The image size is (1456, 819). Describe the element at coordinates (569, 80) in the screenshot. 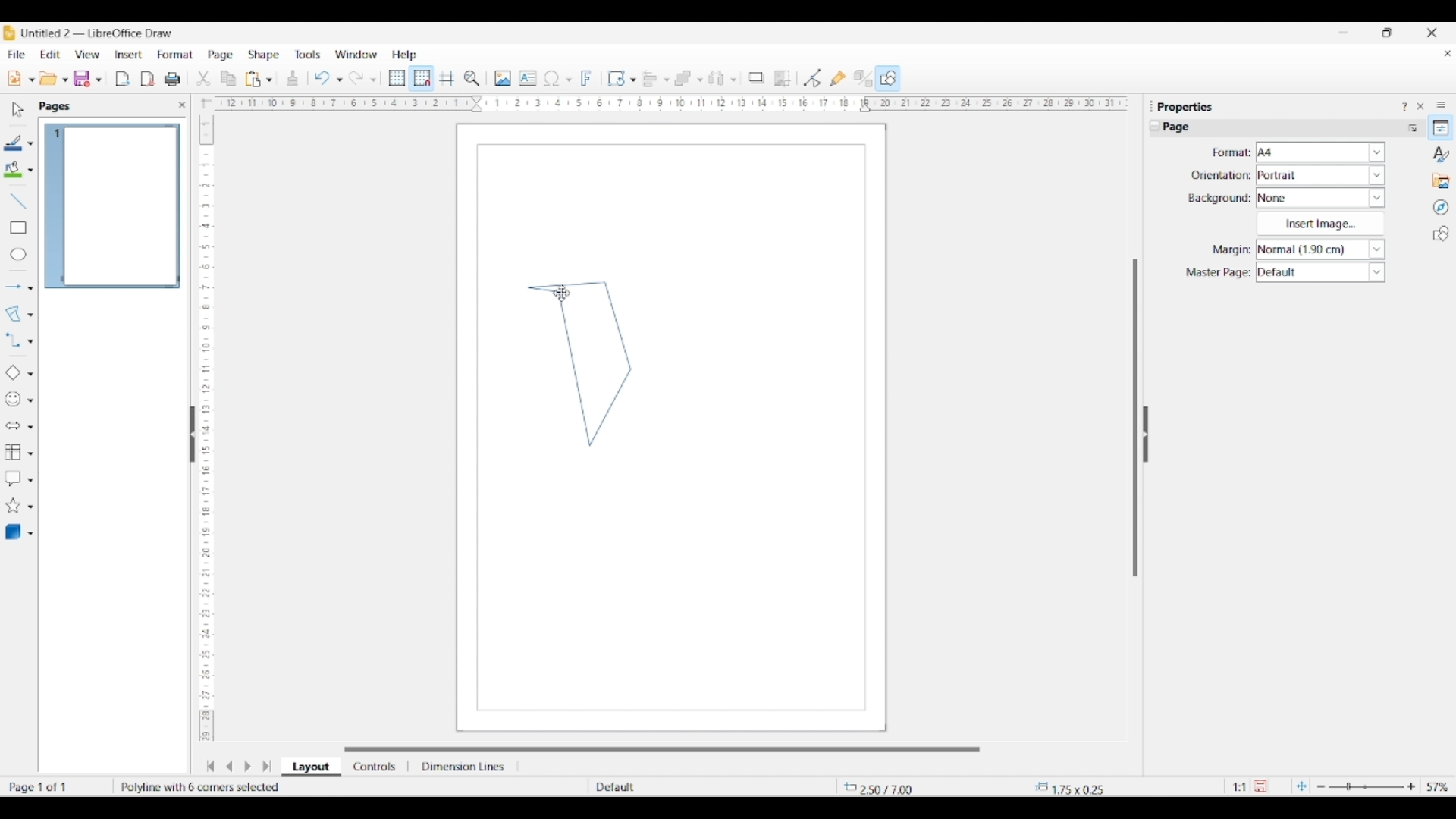

I see `Special character options` at that location.